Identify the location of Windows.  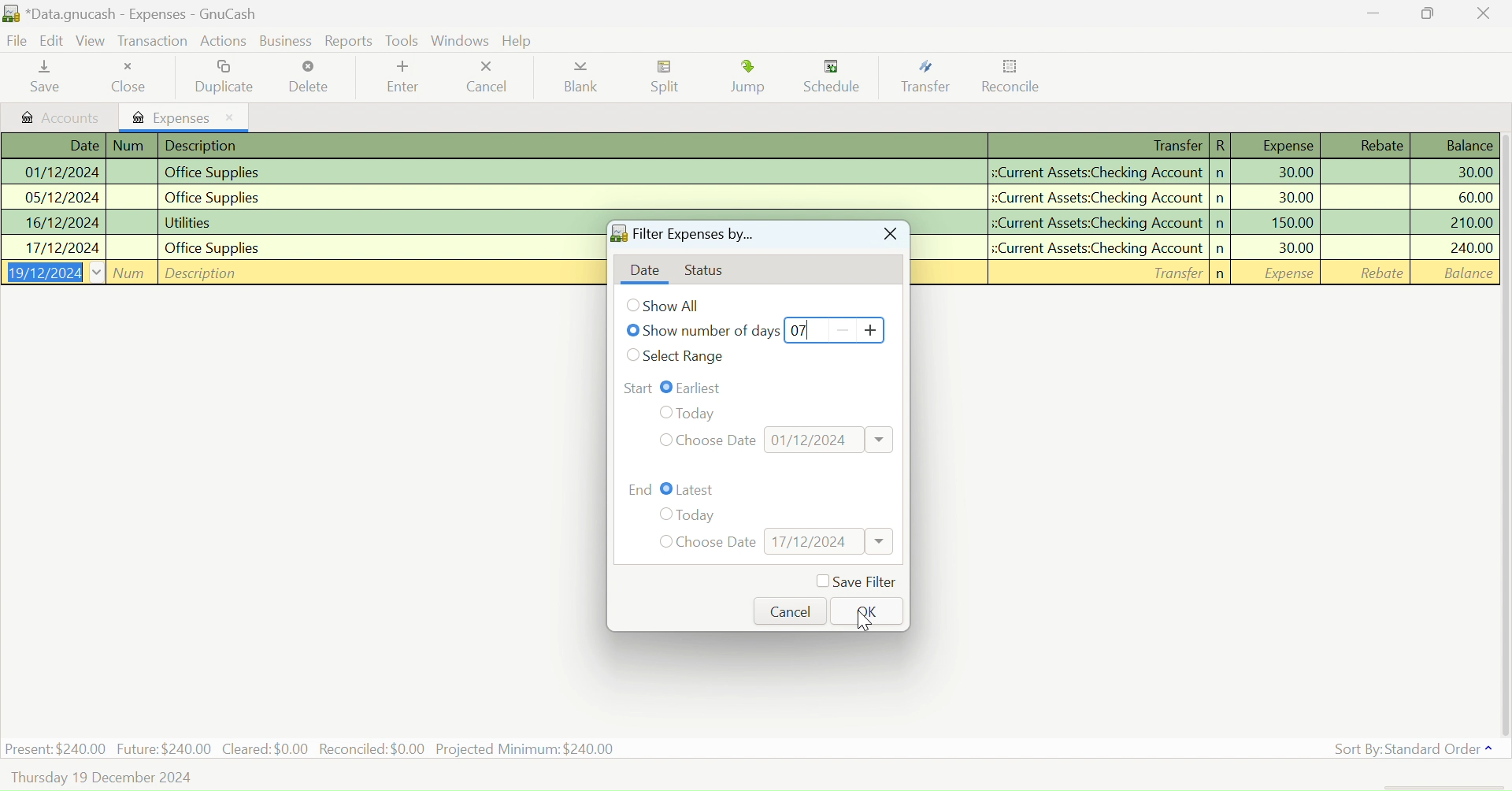
(461, 40).